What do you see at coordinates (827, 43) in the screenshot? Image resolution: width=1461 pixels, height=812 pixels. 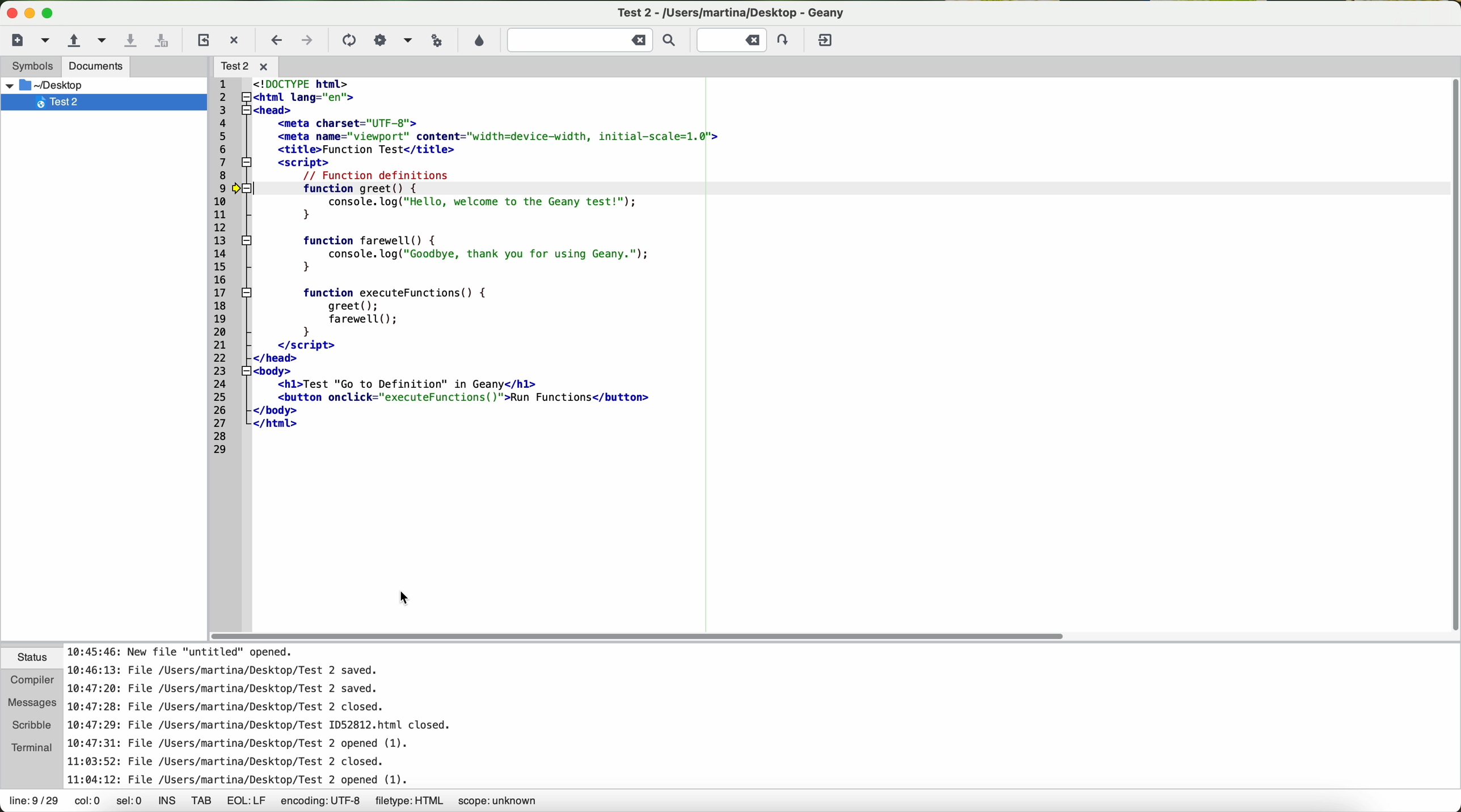 I see `quit Geany` at bounding box center [827, 43].